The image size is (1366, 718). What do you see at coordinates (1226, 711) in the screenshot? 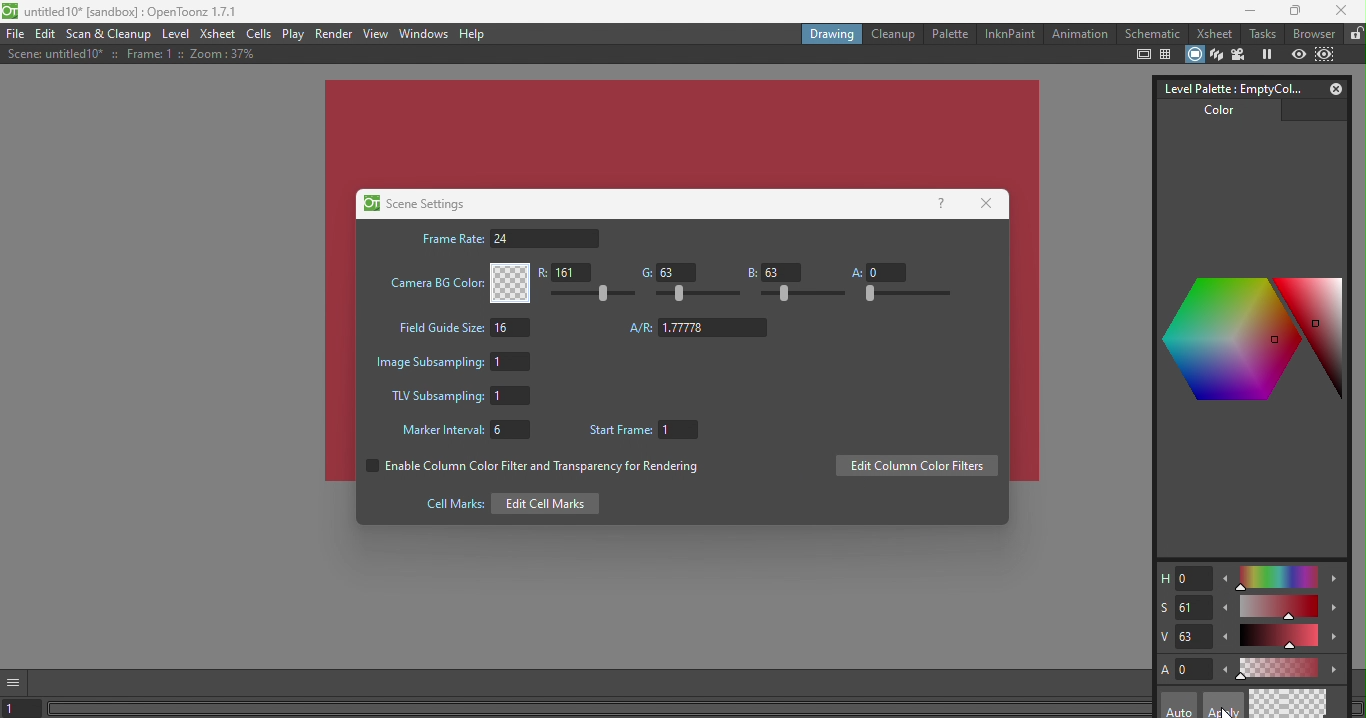
I see `cursor` at bounding box center [1226, 711].